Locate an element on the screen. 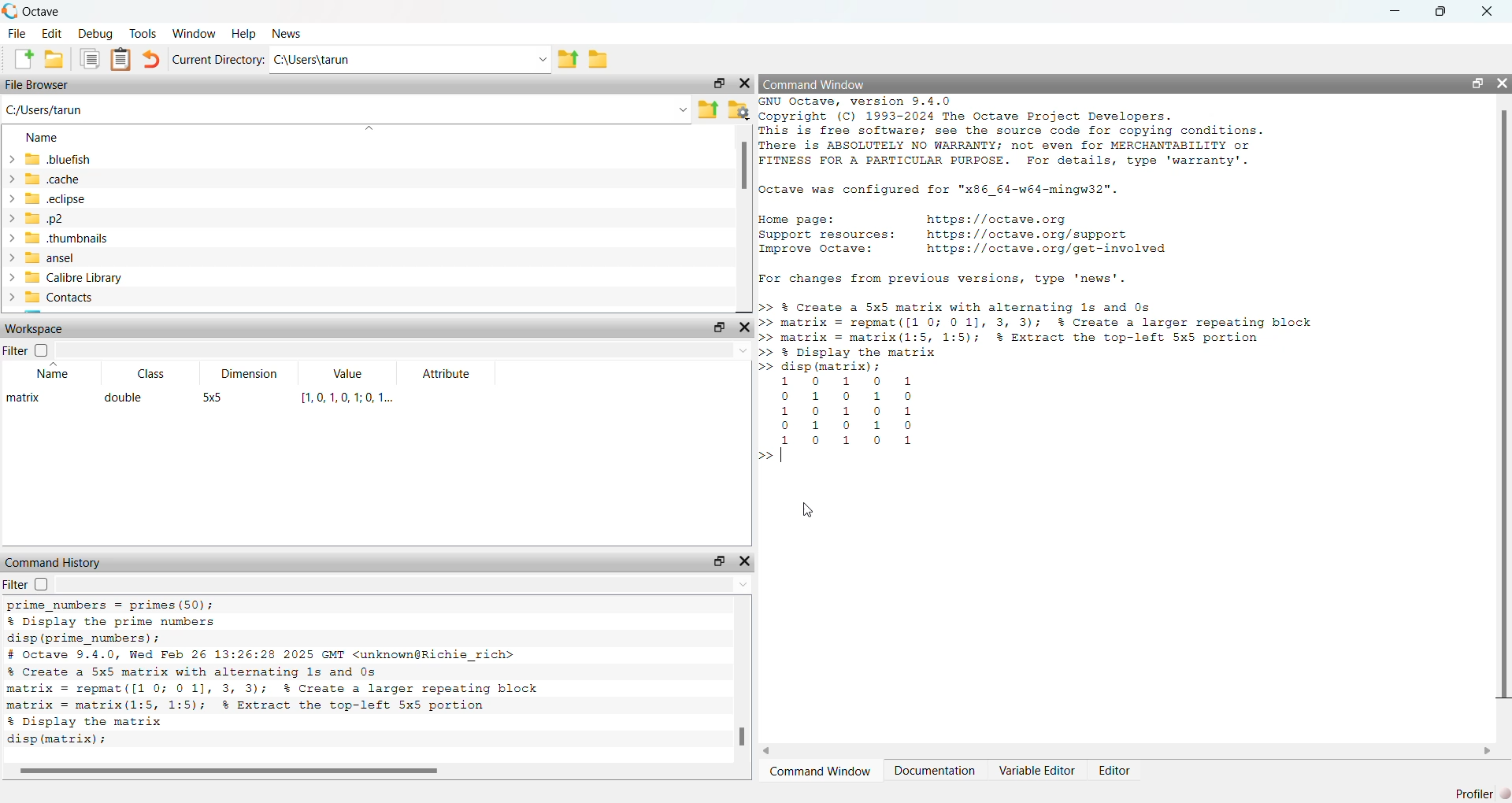 This screenshot has width=1512, height=803. ansel is located at coordinates (50, 257).